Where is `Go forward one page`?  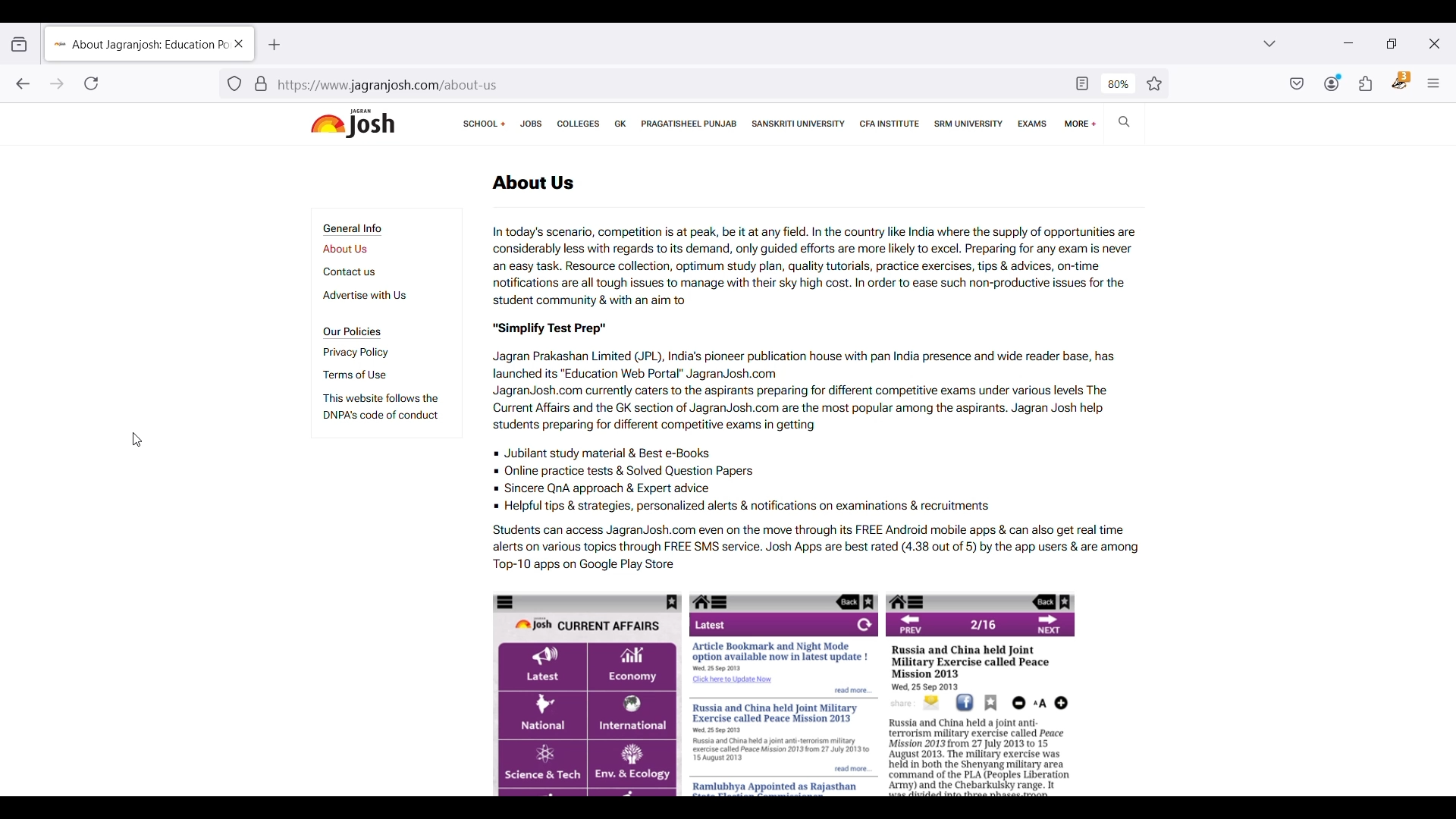
Go forward one page is located at coordinates (57, 84).